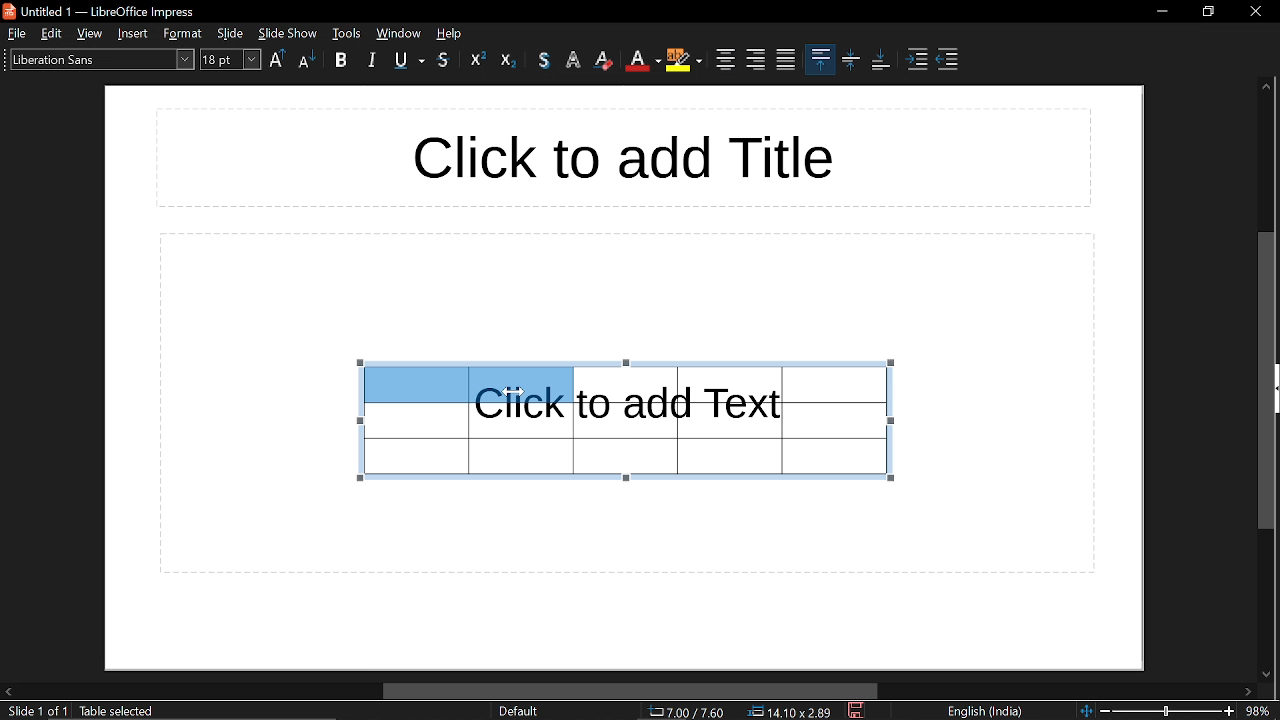  I want to click on horizontal scrollbar, so click(631, 691).